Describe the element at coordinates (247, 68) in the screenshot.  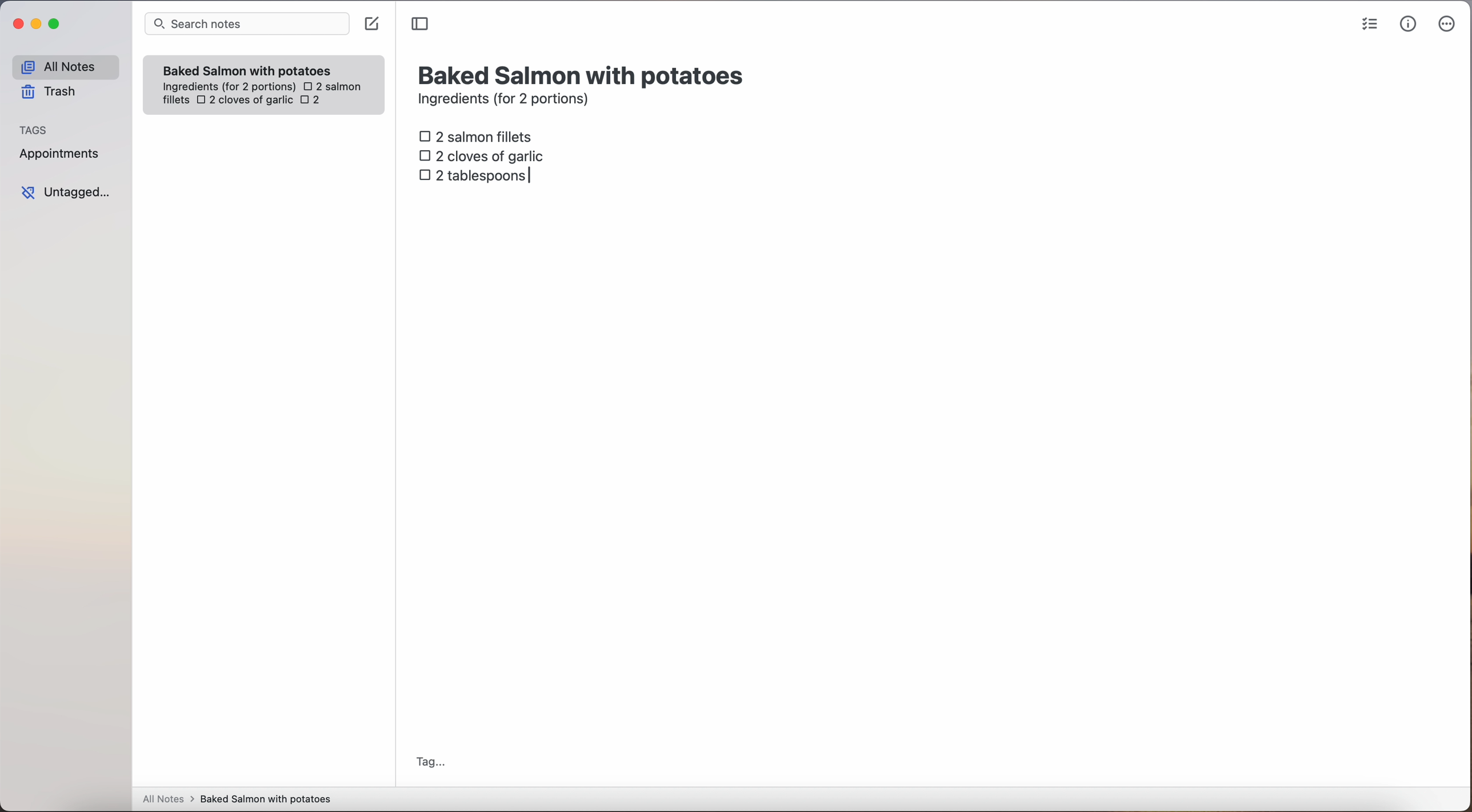
I see `Baked Salmon with potatoes` at that location.